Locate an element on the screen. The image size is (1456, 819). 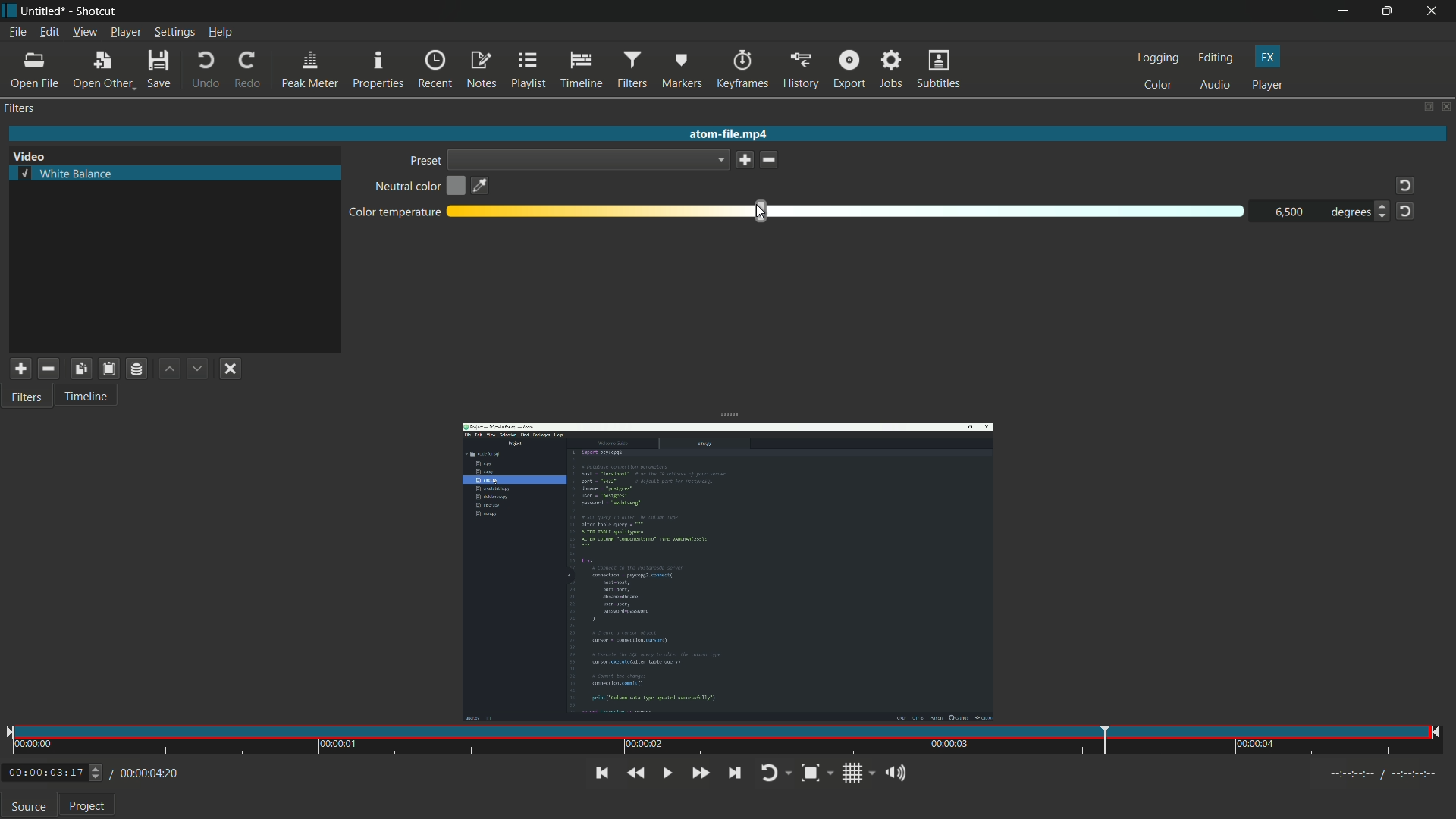
untitled (file name) is located at coordinates (43, 11).